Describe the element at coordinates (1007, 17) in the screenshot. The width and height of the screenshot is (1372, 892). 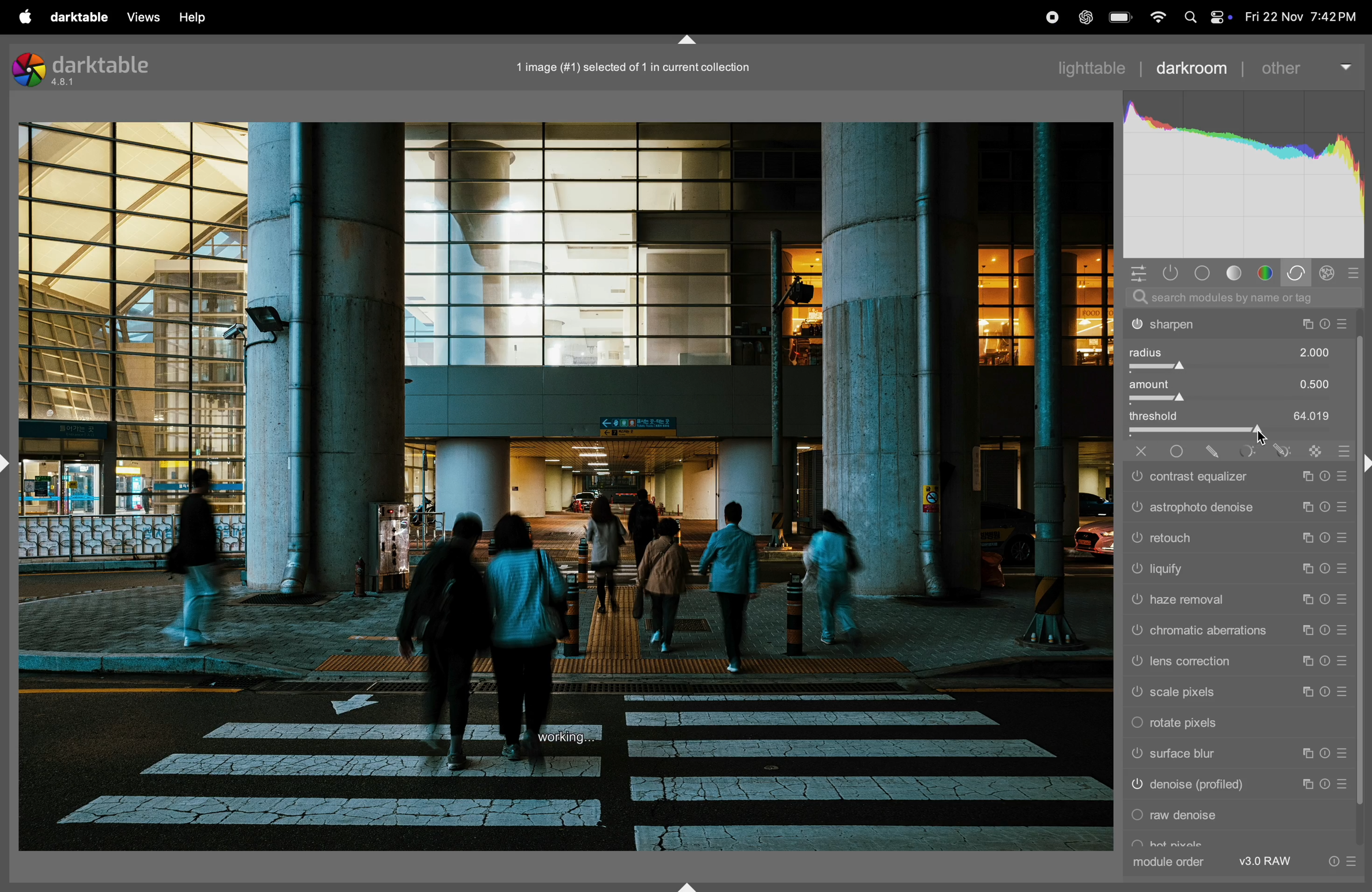
I see `record` at that location.